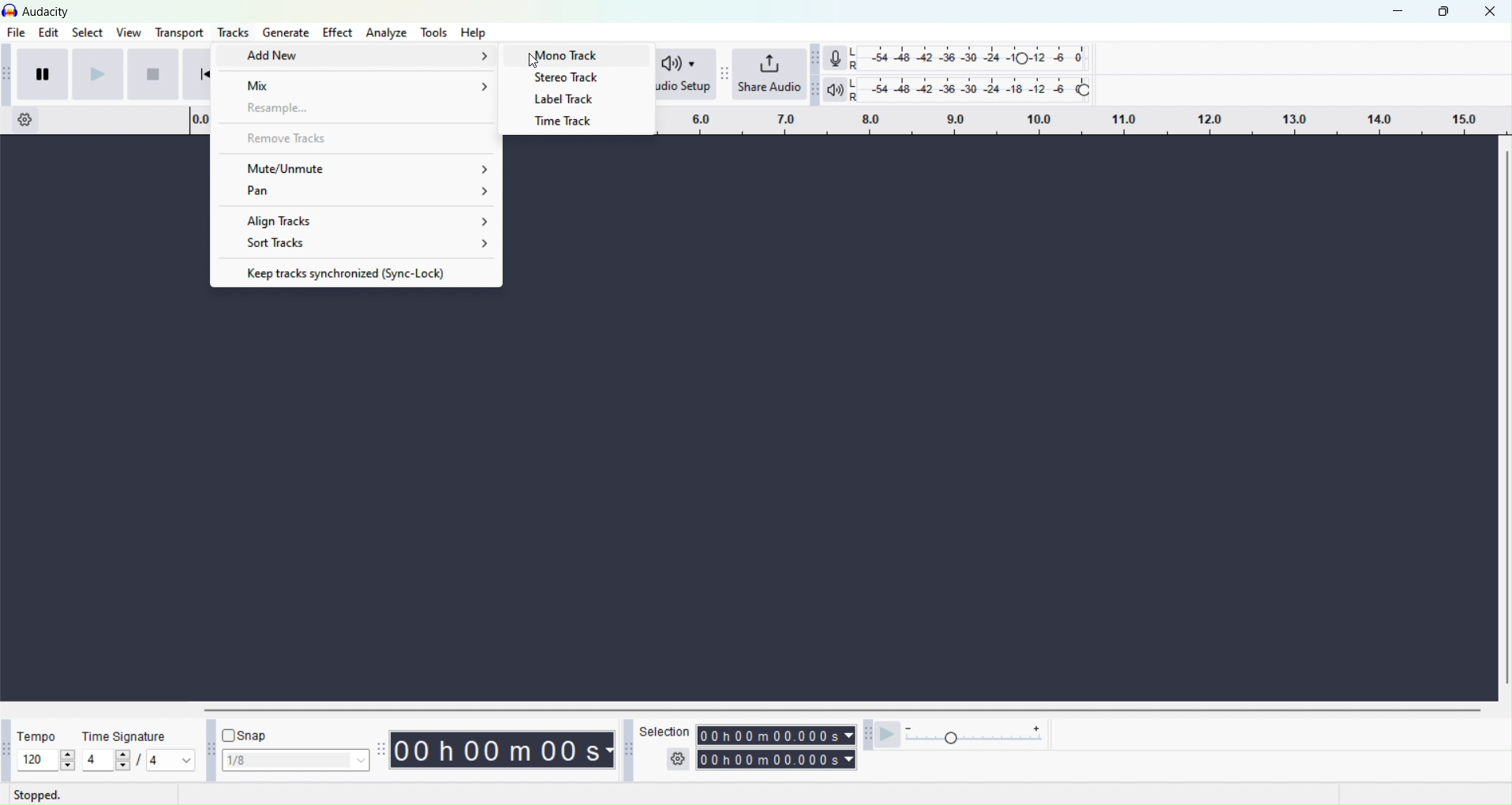 The image size is (1512, 805). I want to click on Playback level, so click(969, 89).